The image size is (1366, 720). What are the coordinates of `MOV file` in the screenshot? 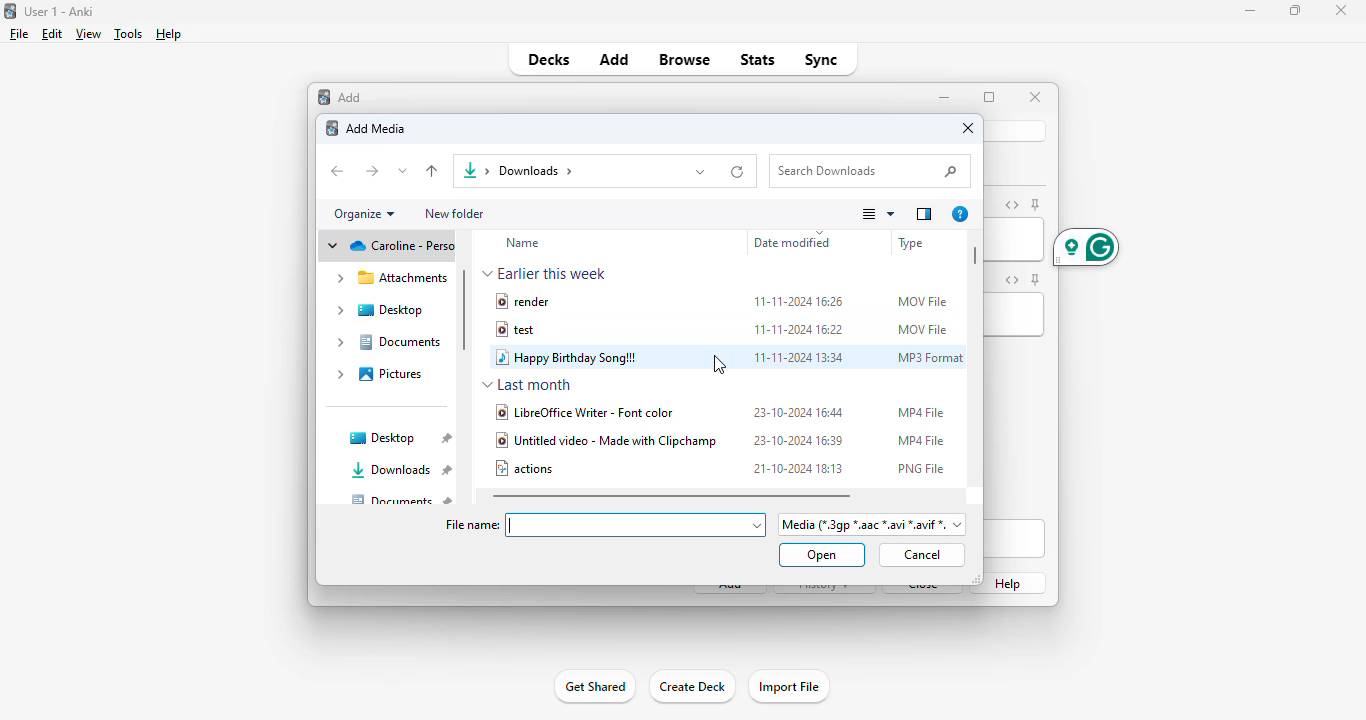 It's located at (922, 330).